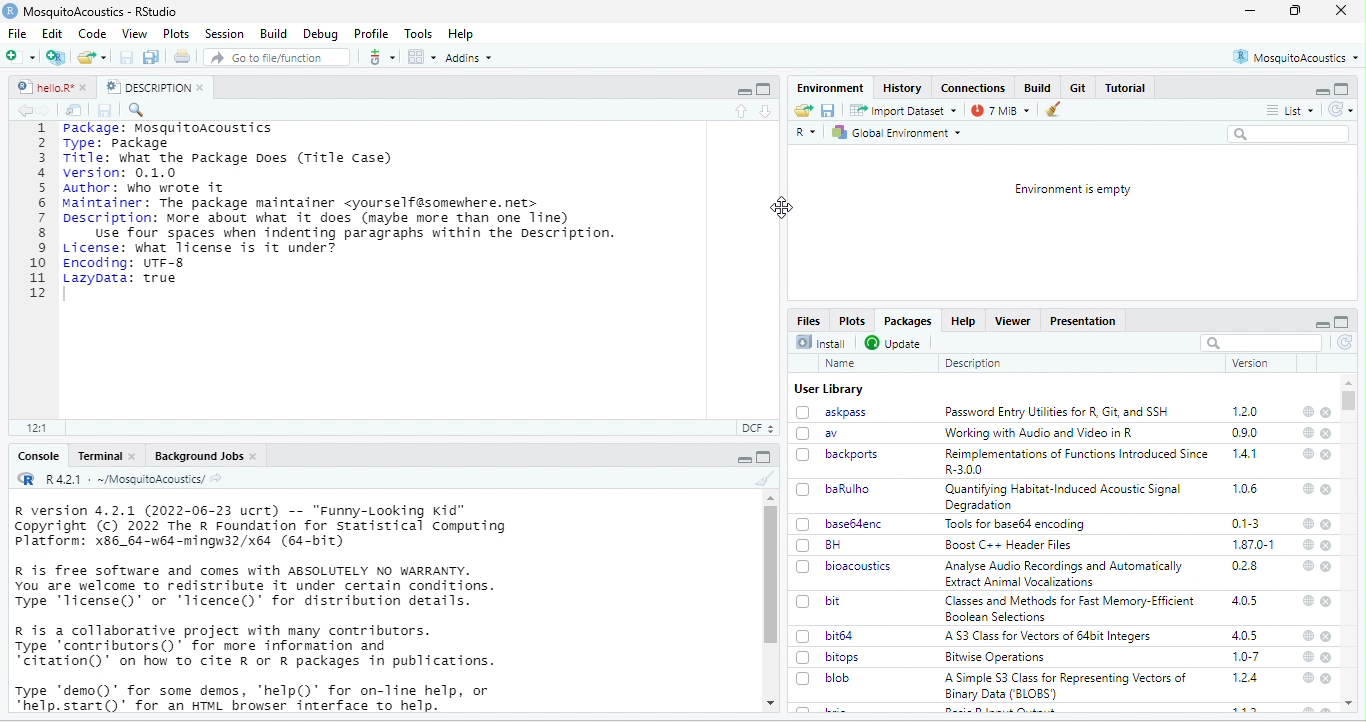 The width and height of the screenshot is (1366, 722). I want to click on Console, so click(39, 457).